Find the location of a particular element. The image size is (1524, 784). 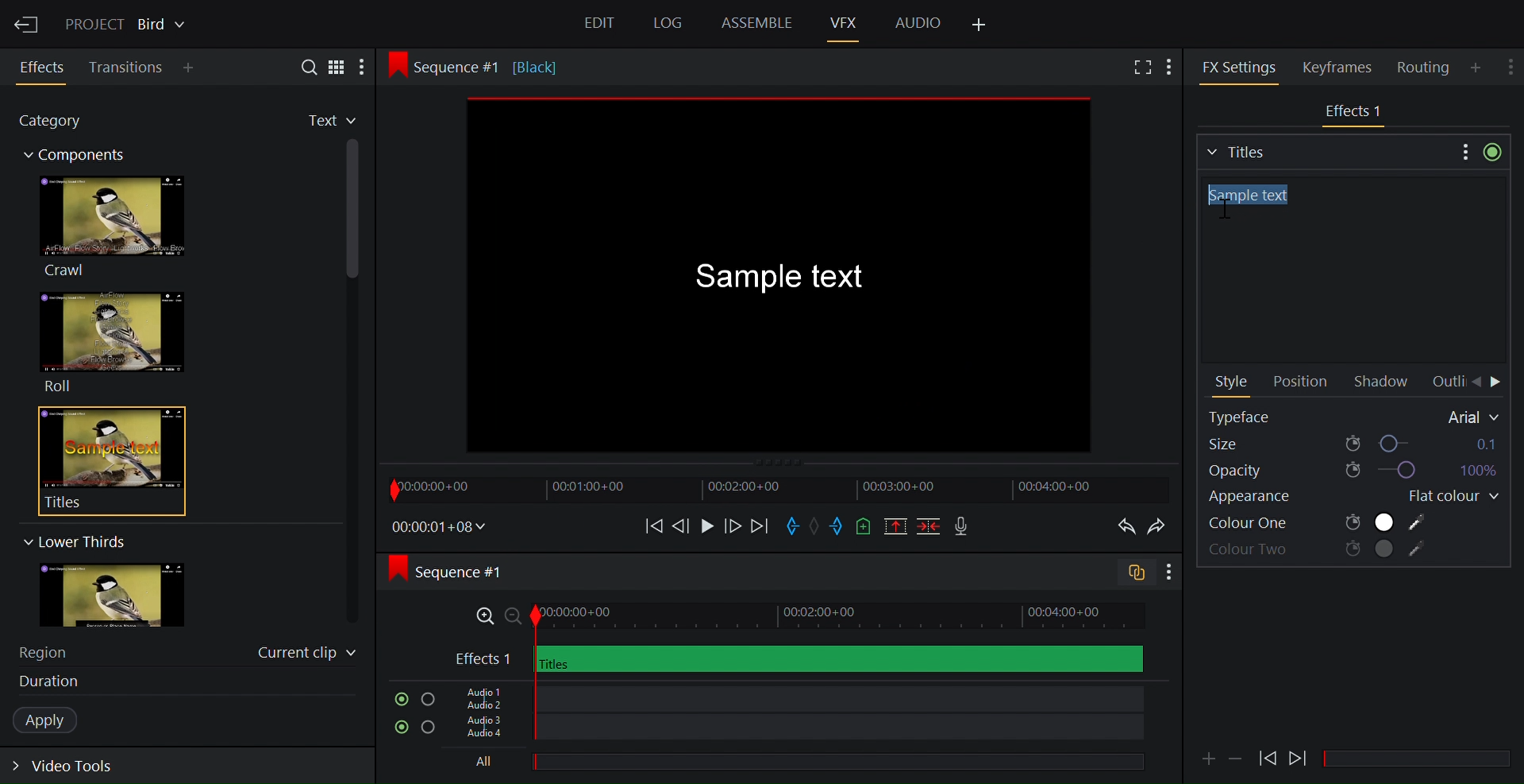

Add Panel is located at coordinates (1173, 65).